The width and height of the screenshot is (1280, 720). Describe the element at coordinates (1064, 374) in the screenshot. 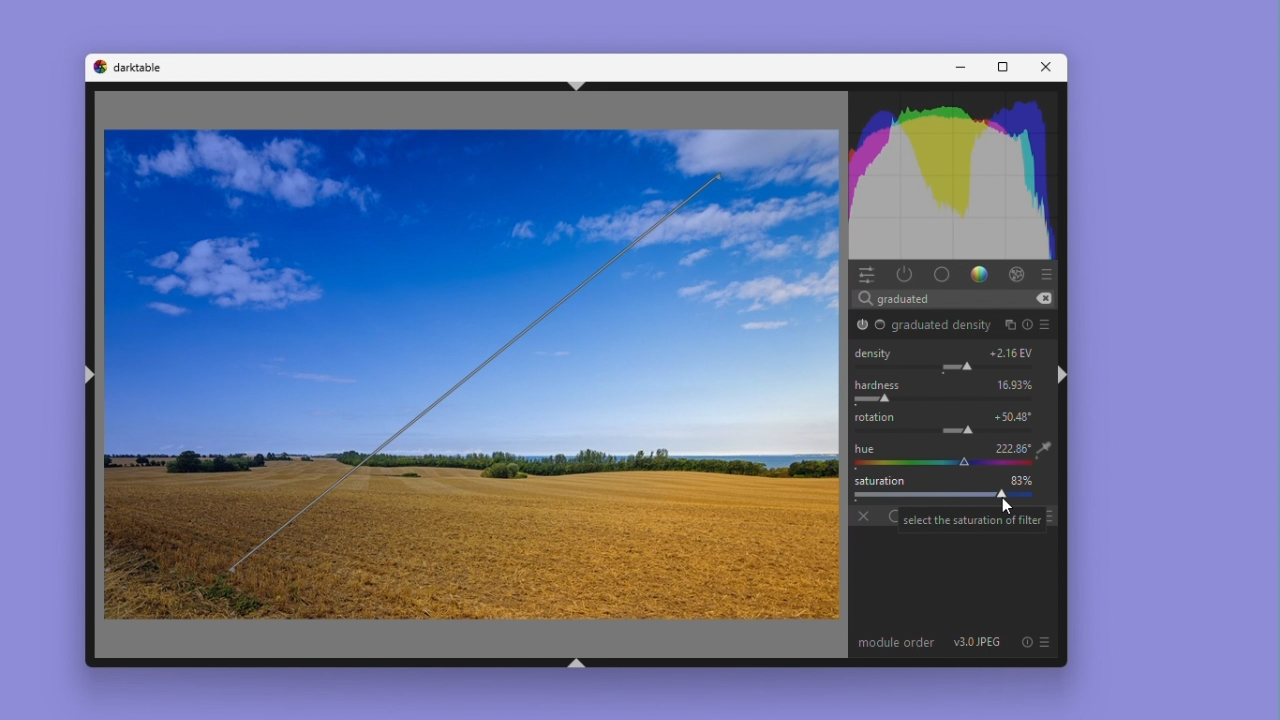

I see `shift+ctrl+r ` at that location.